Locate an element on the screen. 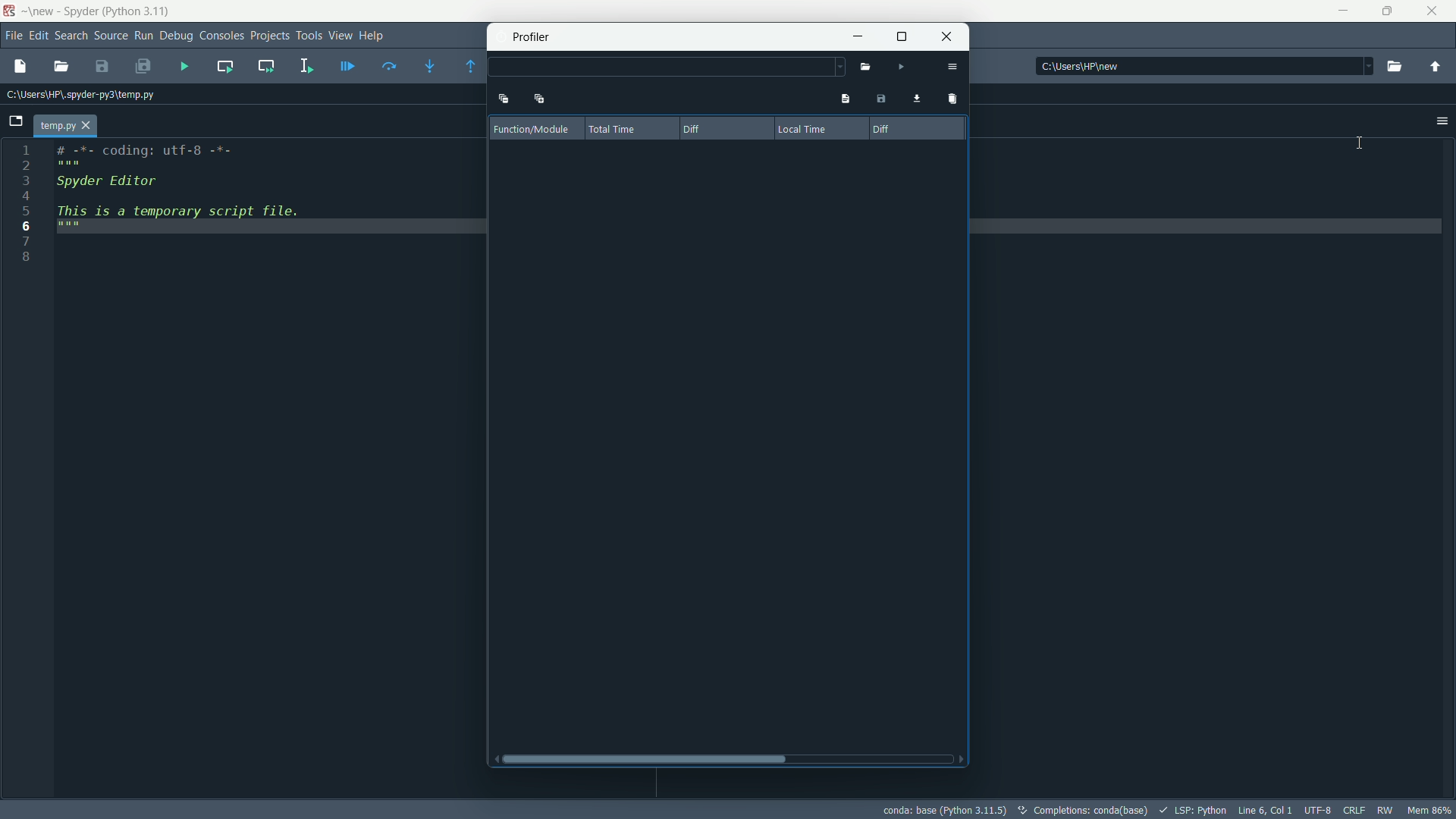 This screenshot has width=1456, height=819. file encoding is located at coordinates (1317, 811).